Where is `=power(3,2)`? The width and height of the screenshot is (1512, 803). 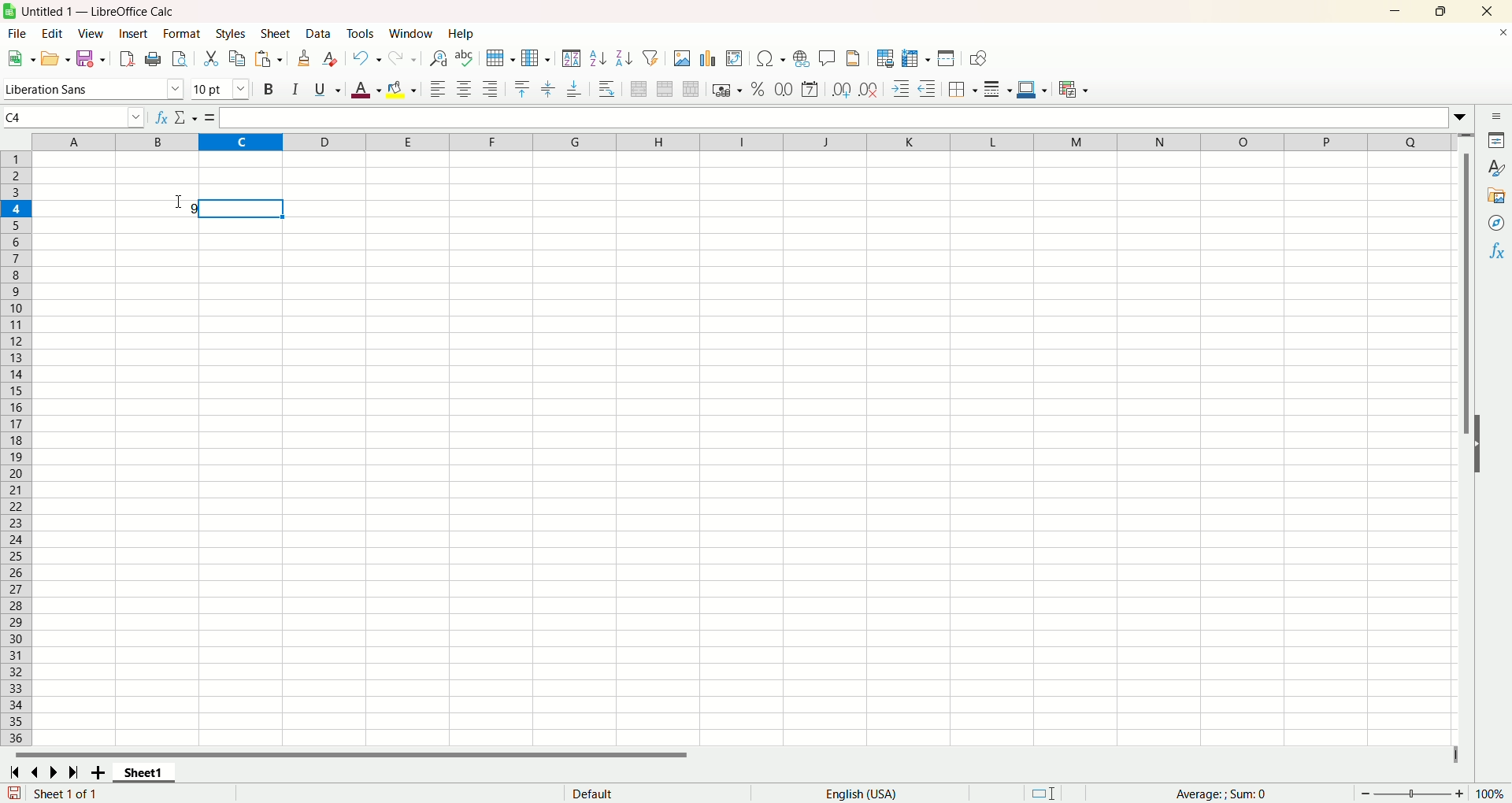
=power(3,2) is located at coordinates (833, 117).